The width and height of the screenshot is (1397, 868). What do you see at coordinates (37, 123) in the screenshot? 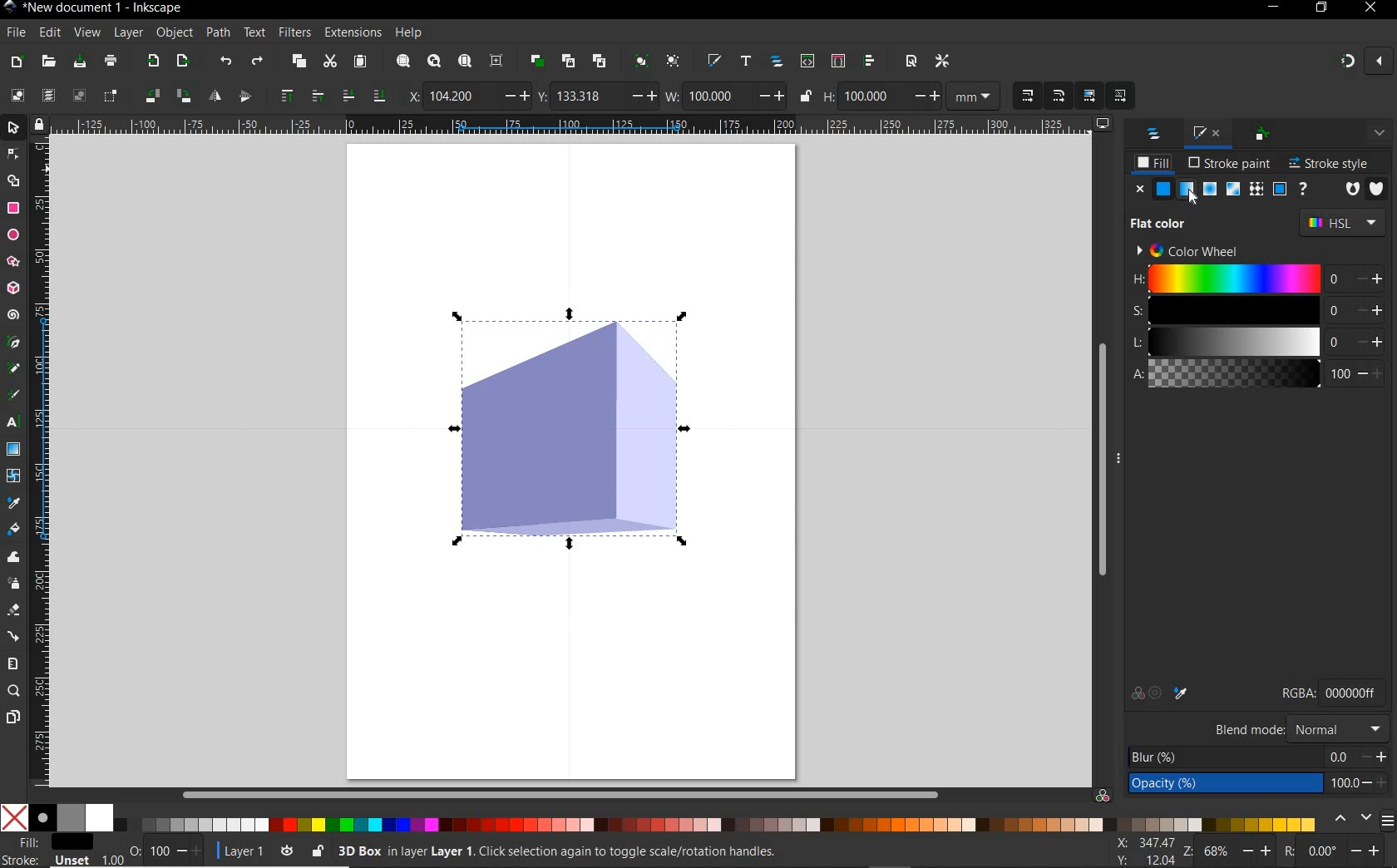
I see `lock` at bounding box center [37, 123].